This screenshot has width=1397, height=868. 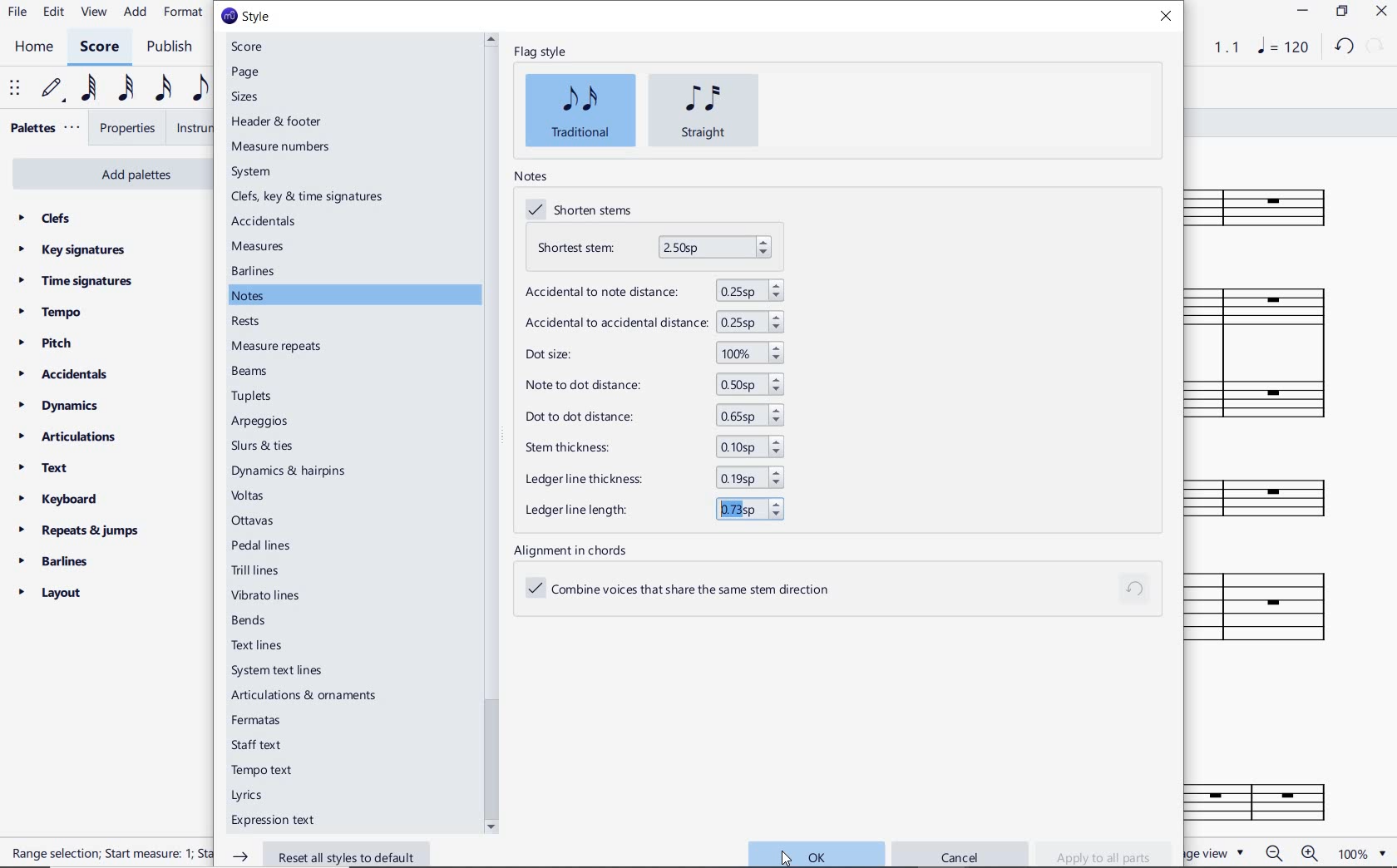 What do you see at coordinates (1342, 13) in the screenshot?
I see `RESTORE DOWN` at bounding box center [1342, 13].